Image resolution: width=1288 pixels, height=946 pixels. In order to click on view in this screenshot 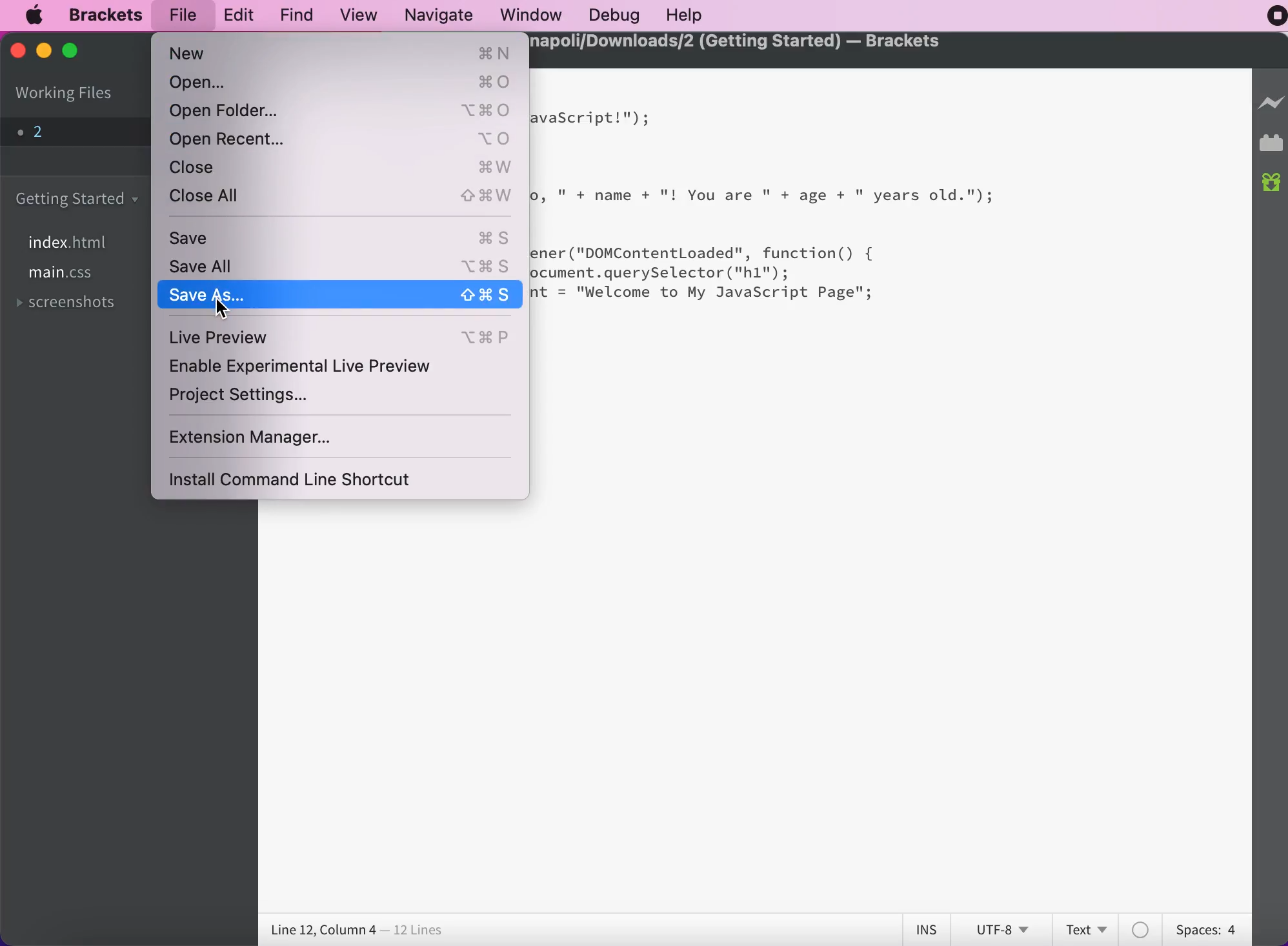, I will do `click(356, 14)`.